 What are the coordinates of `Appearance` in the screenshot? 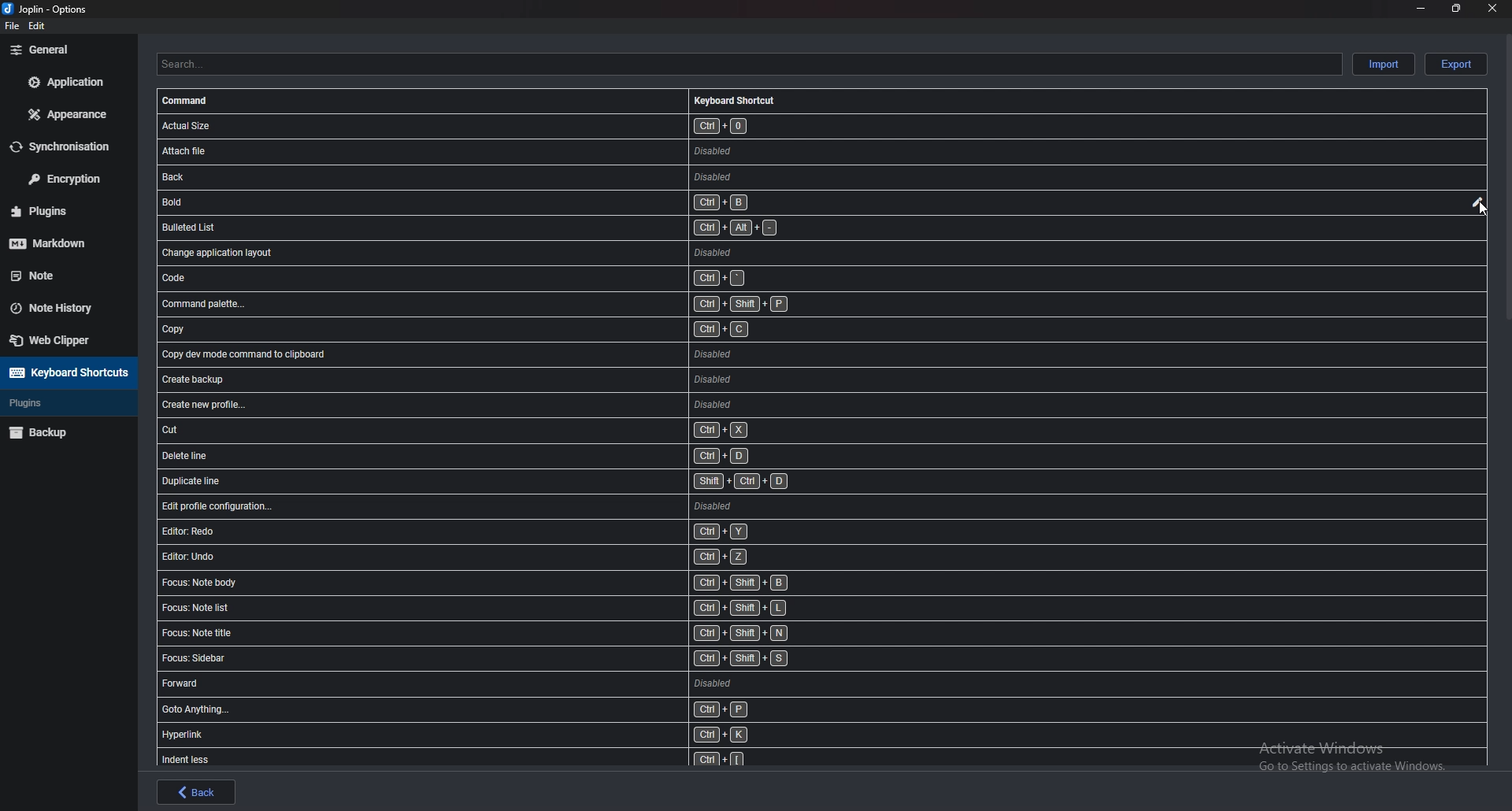 It's located at (65, 114).